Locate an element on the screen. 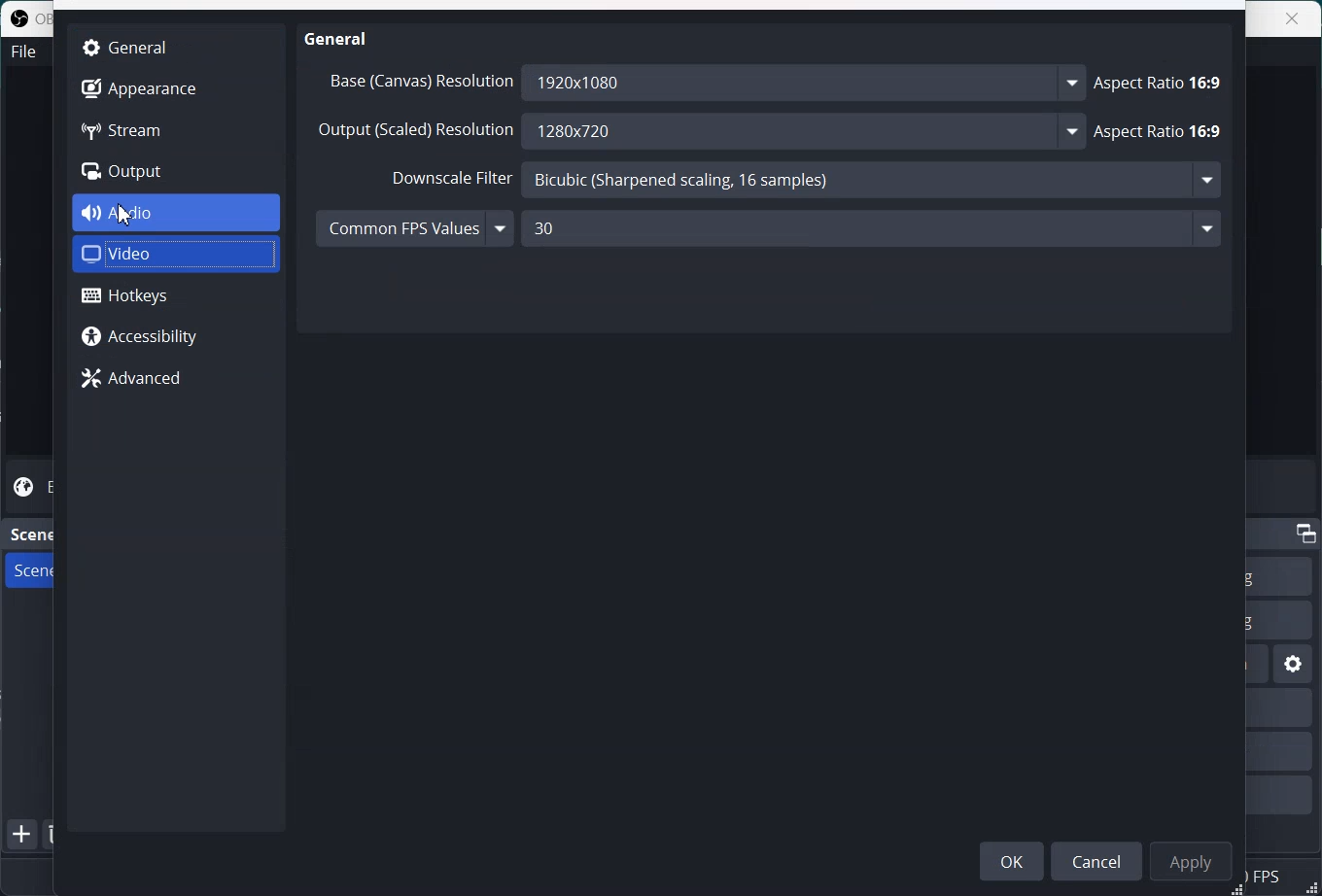 This screenshot has height=896, width=1322. 1280x720 is located at coordinates (806, 132).